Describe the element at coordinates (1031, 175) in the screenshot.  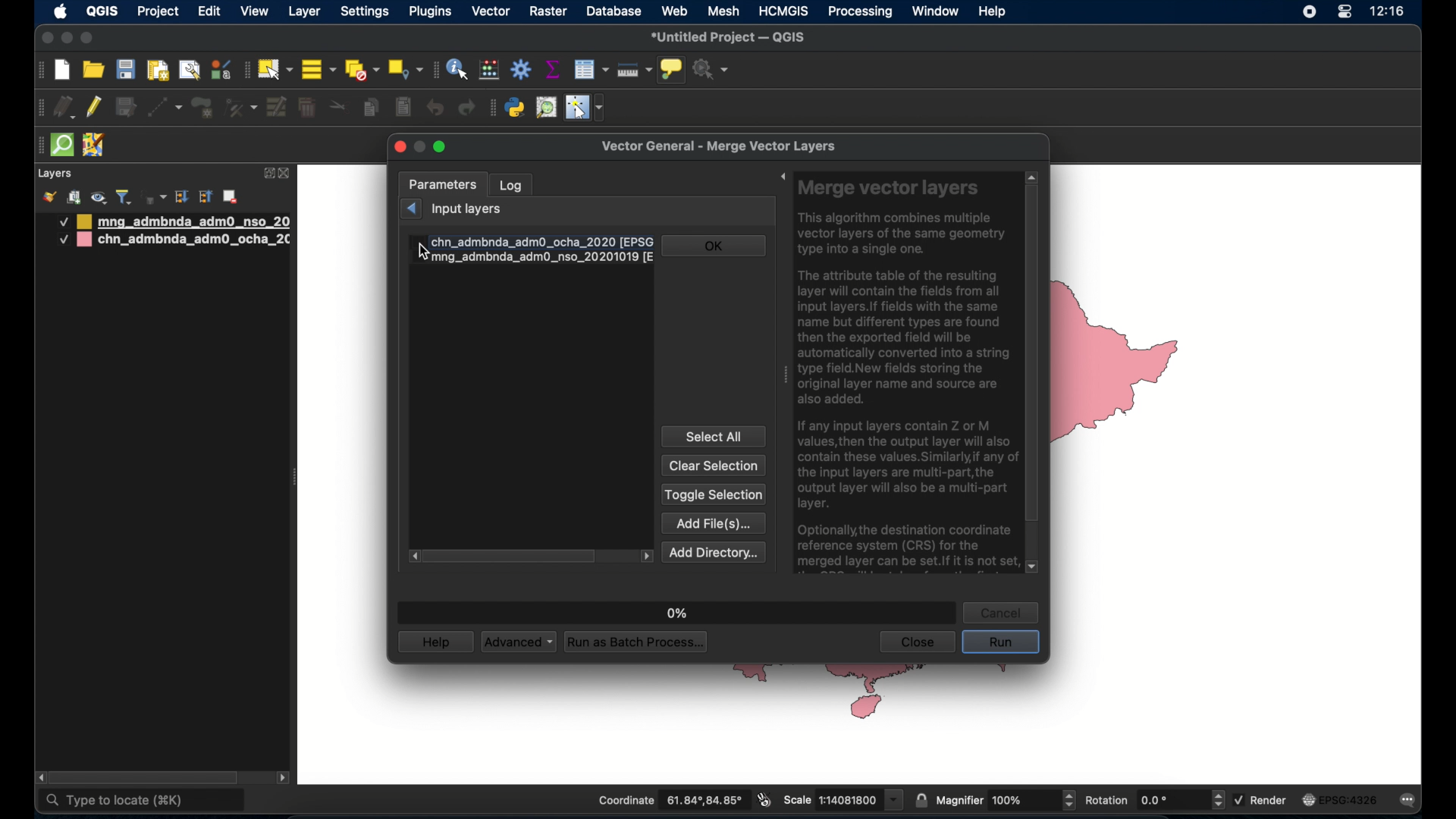
I see `scroll up` at that location.